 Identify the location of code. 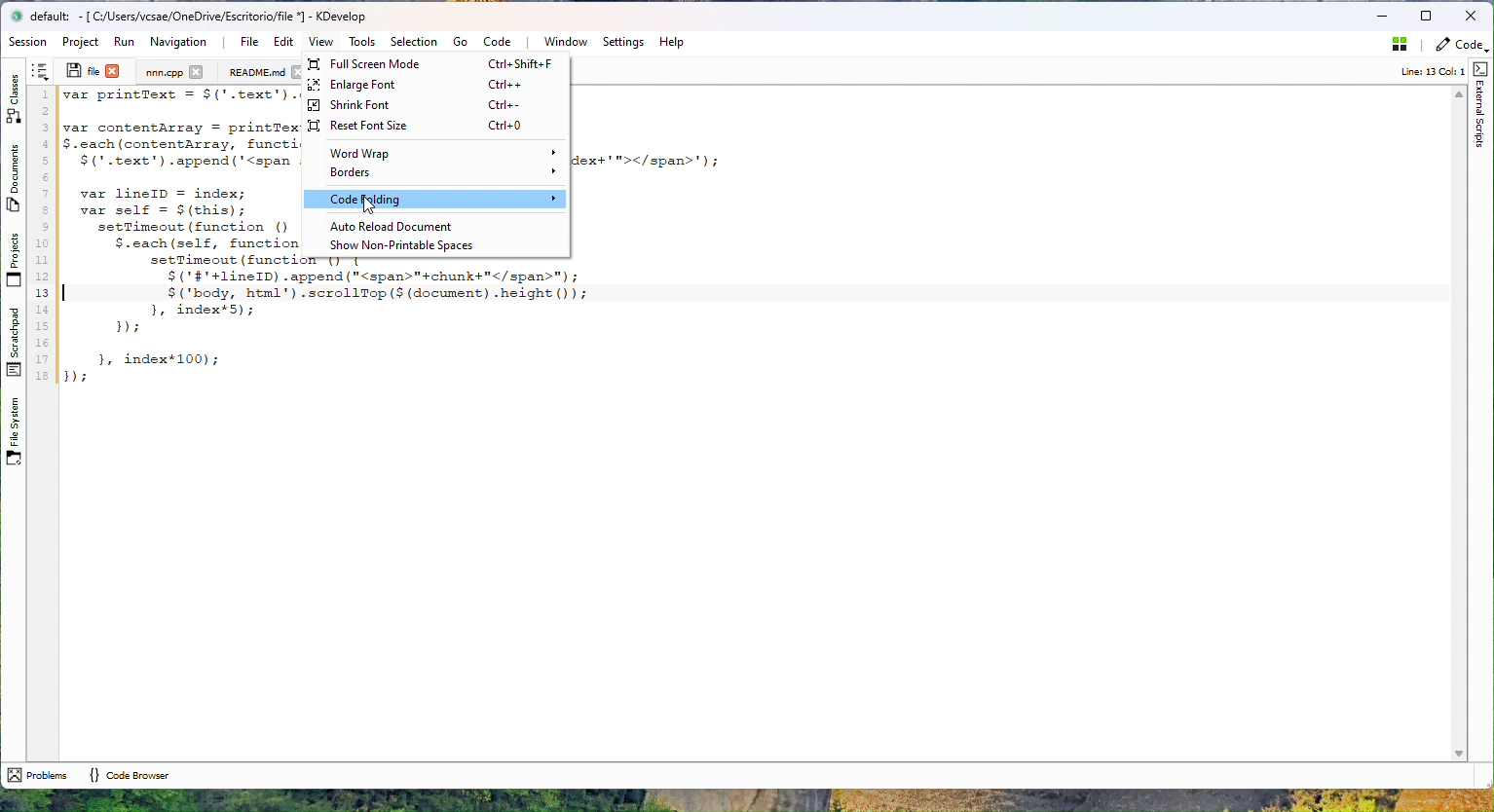
(179, 238).